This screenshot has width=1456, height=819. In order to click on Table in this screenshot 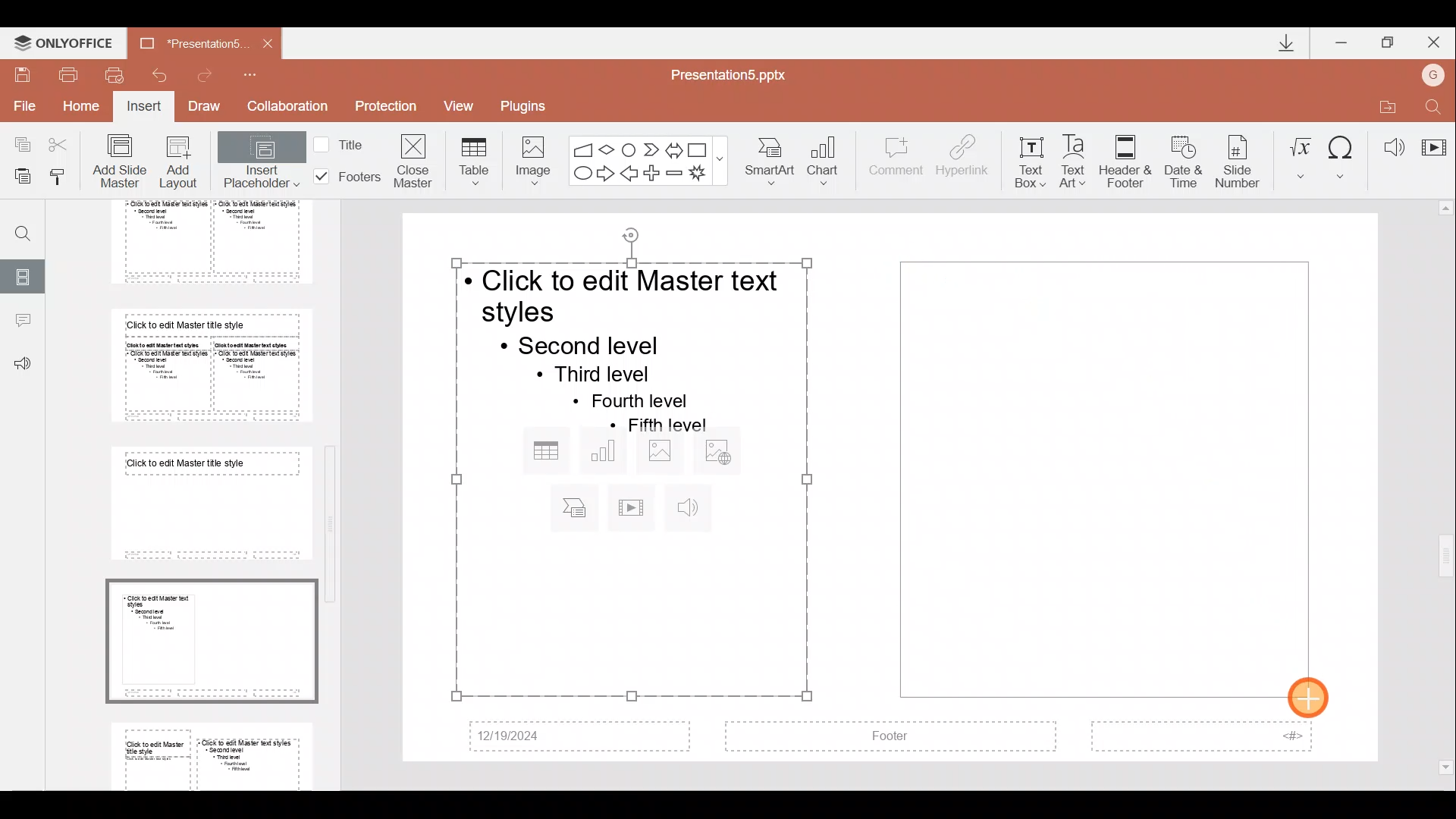, I will do `click(472, 160)`.